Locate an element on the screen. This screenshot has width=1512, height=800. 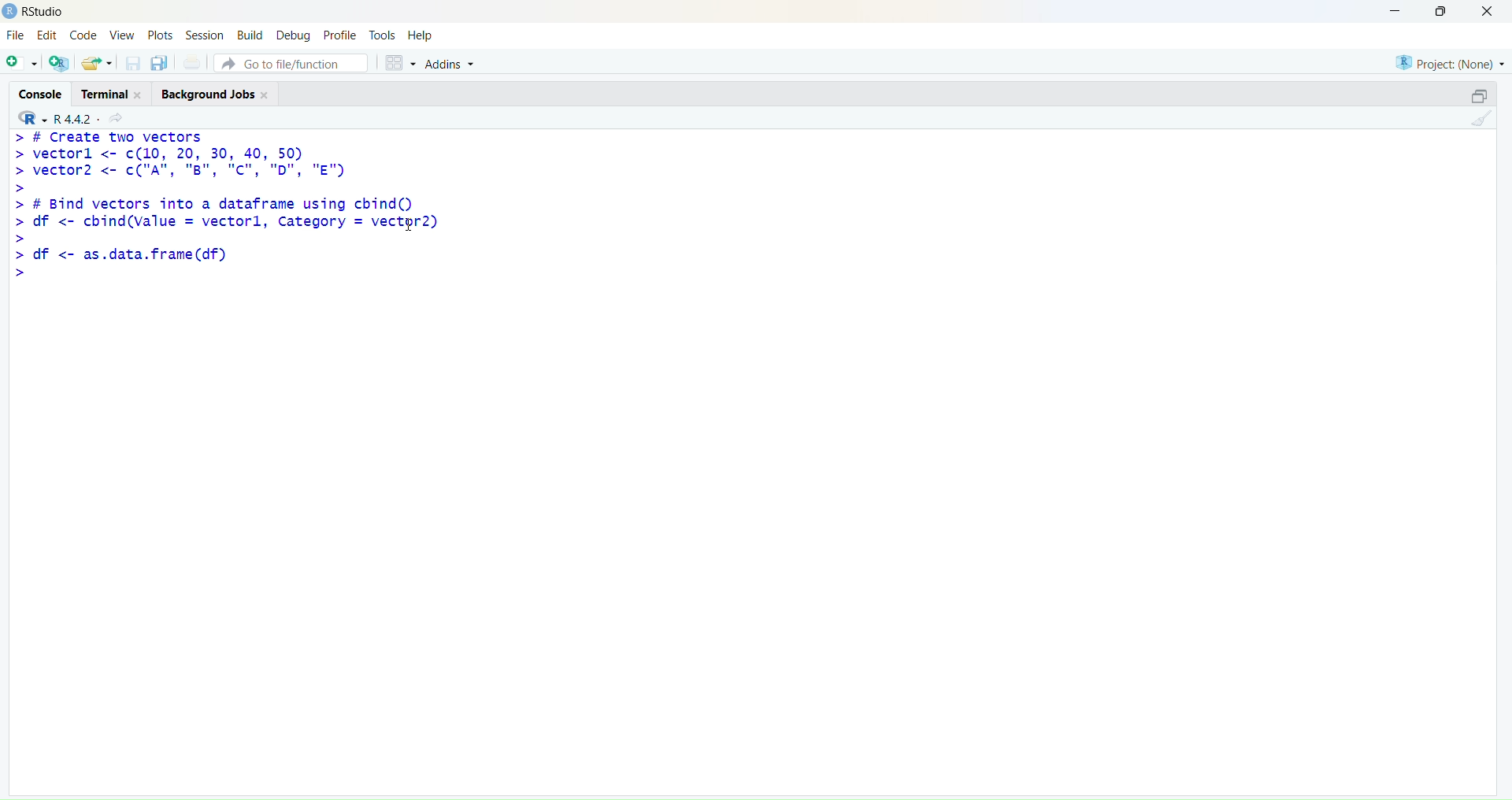
Console is located at coordinates (39, 92).